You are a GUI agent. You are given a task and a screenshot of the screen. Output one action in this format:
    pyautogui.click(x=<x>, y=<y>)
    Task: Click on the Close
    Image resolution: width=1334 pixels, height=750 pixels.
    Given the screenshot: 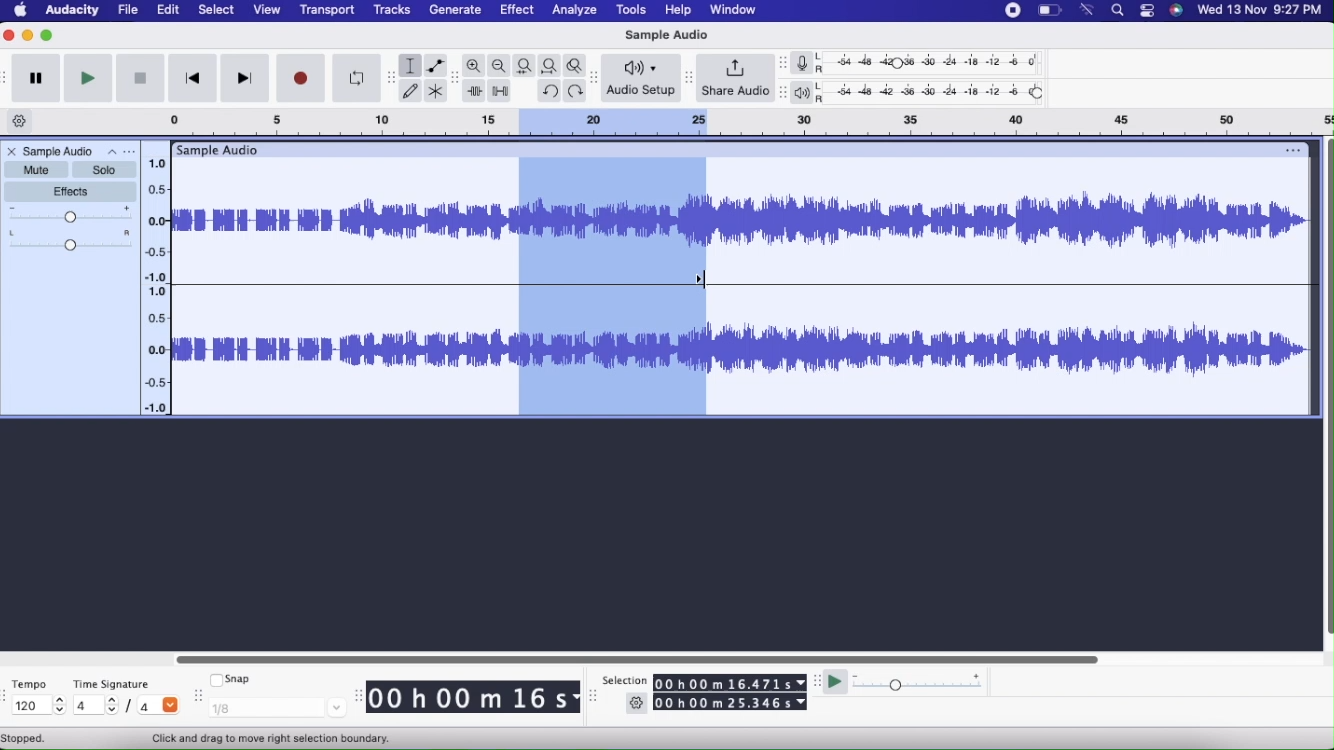 What is the action you would take?
    pyautogui.click(x=10, y=36)
    